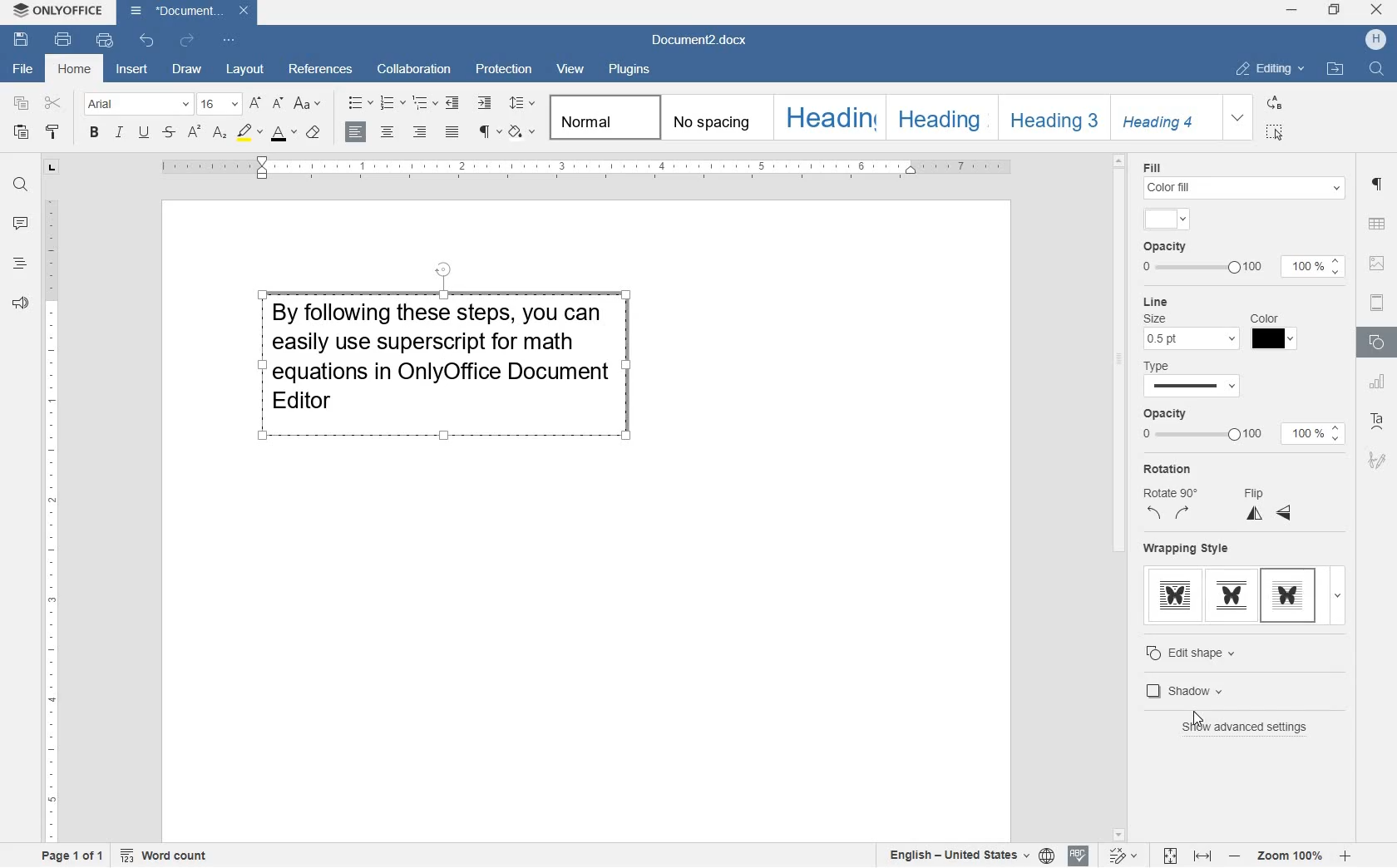 This screenshot has width=1397, height=868. I want to click on OPEN FILE LOCATION, so click(1335, 67).